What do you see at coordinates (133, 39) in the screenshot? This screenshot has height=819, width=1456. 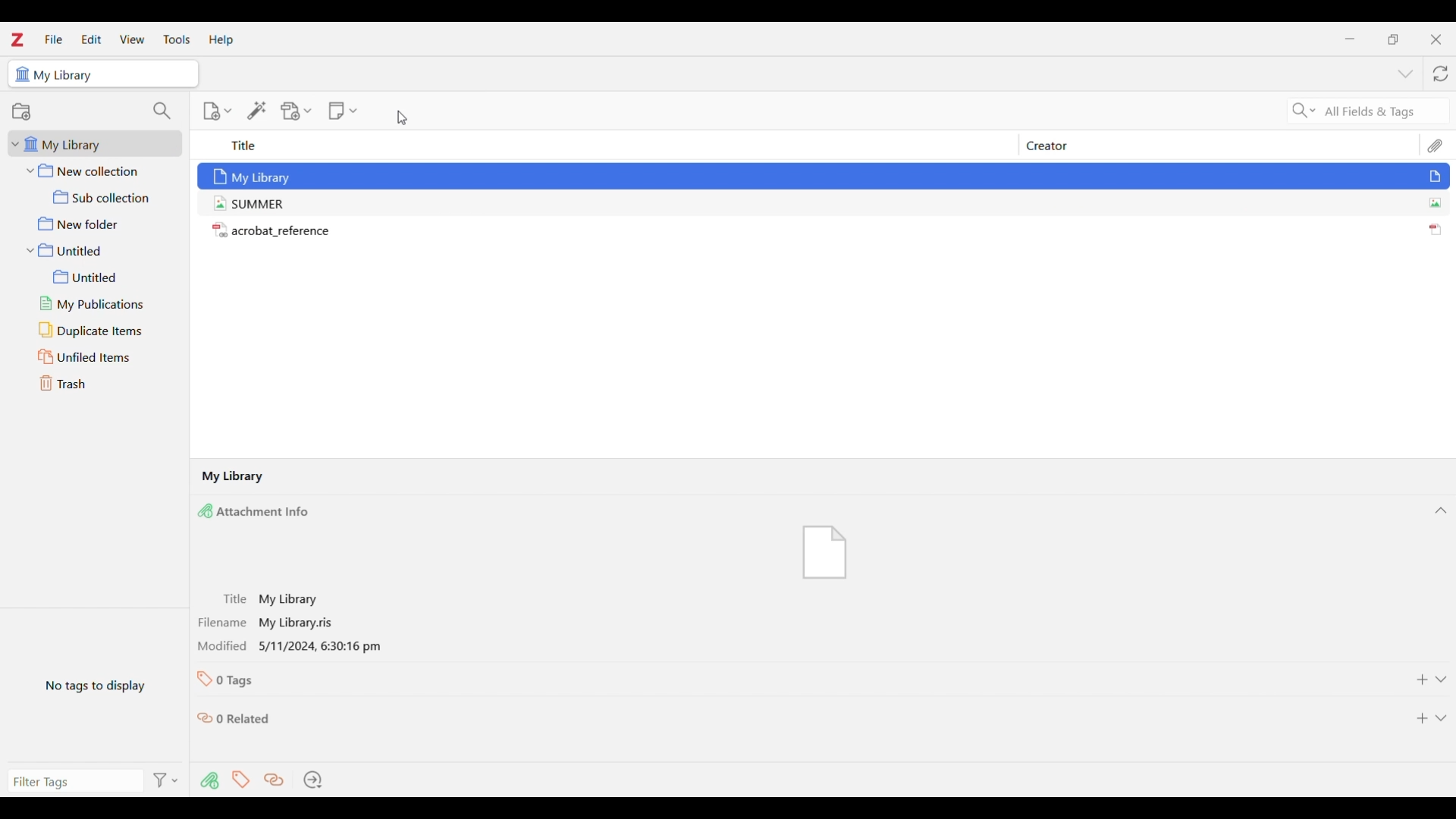 I see `View menu highlighted` at bounding box center [133, 39].